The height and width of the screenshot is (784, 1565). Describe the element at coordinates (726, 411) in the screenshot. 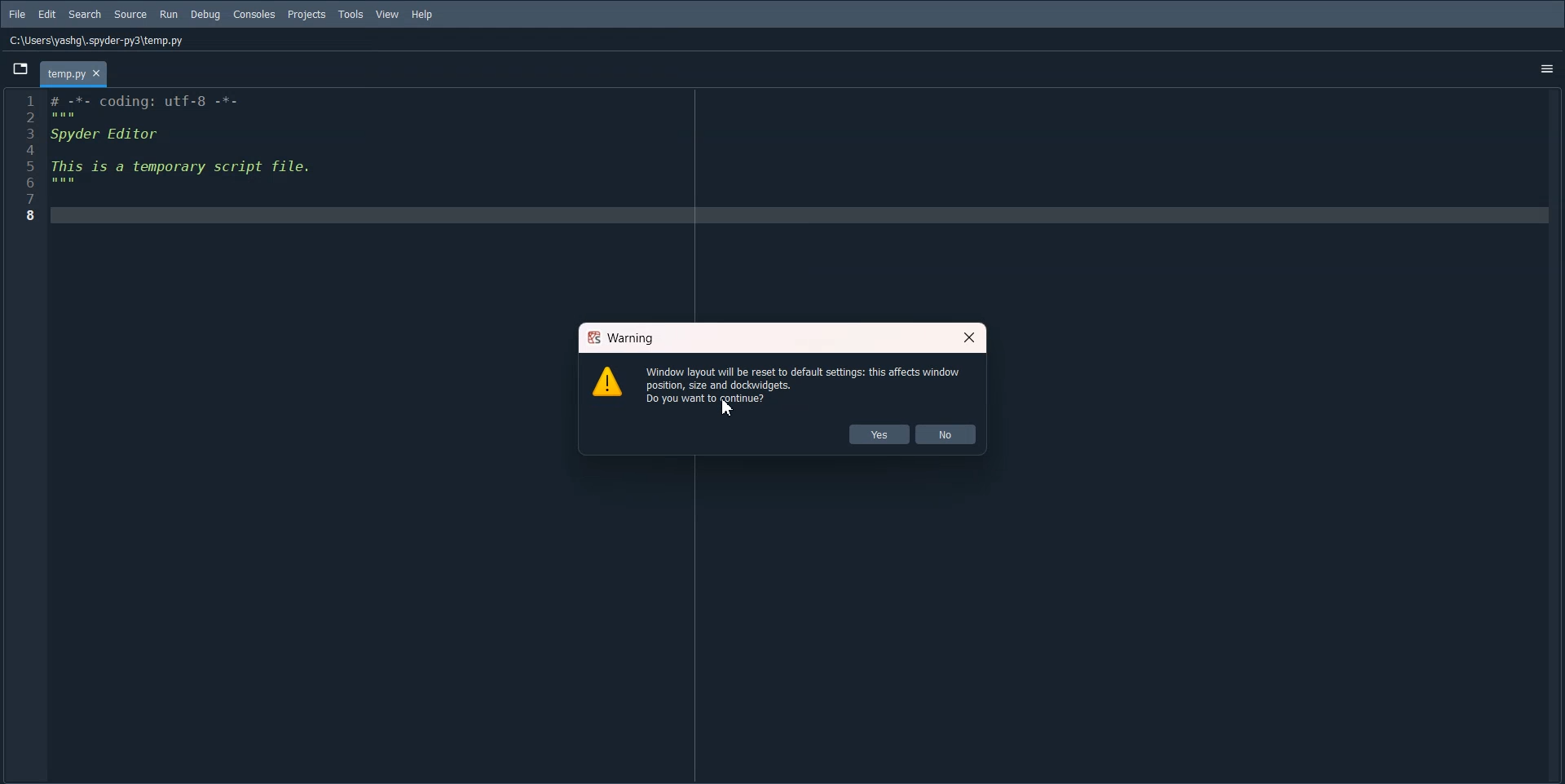

I see `cursor` at that location.